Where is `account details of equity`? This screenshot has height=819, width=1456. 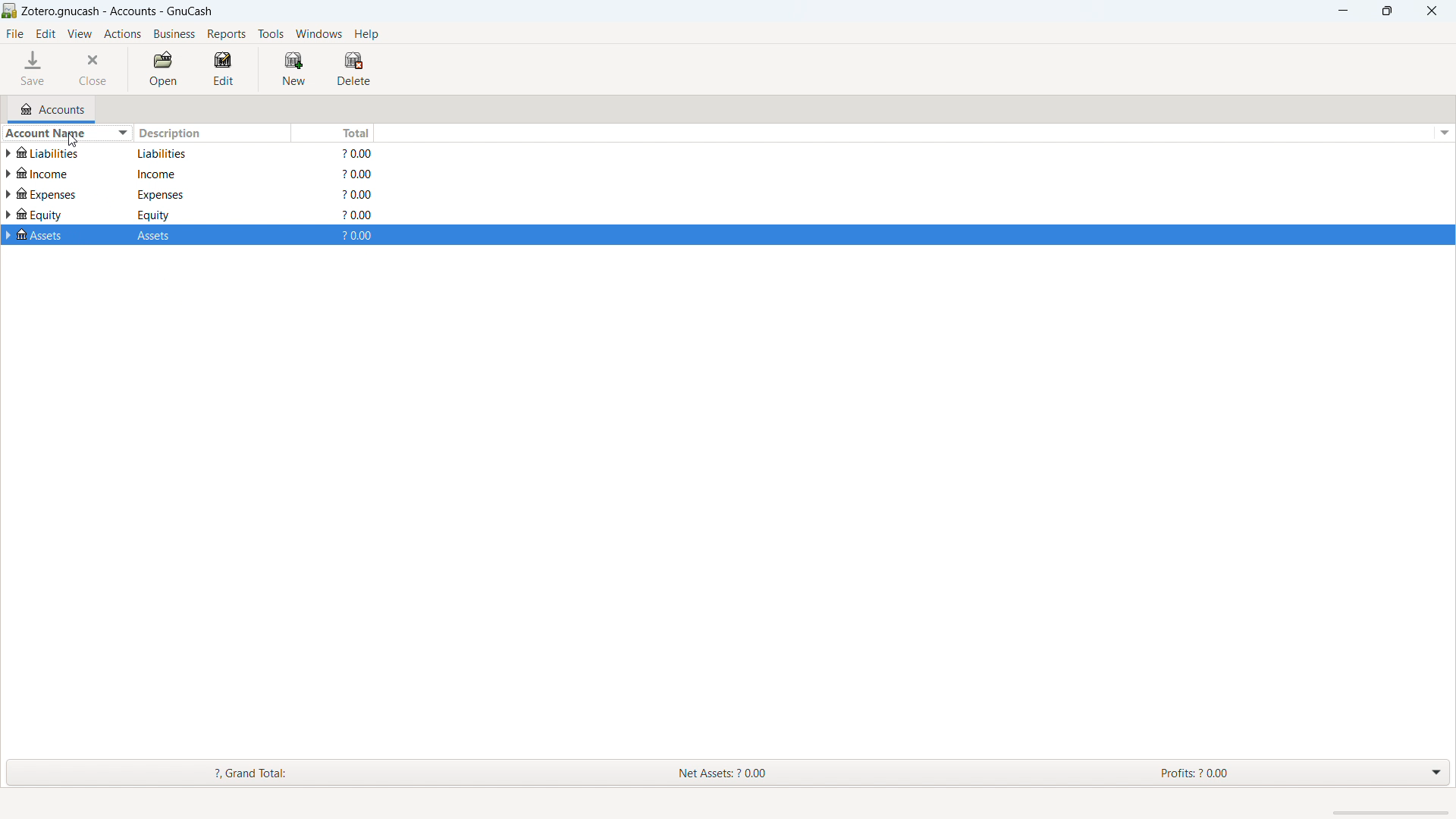
account details of equity is located at coordinates (207, 215).